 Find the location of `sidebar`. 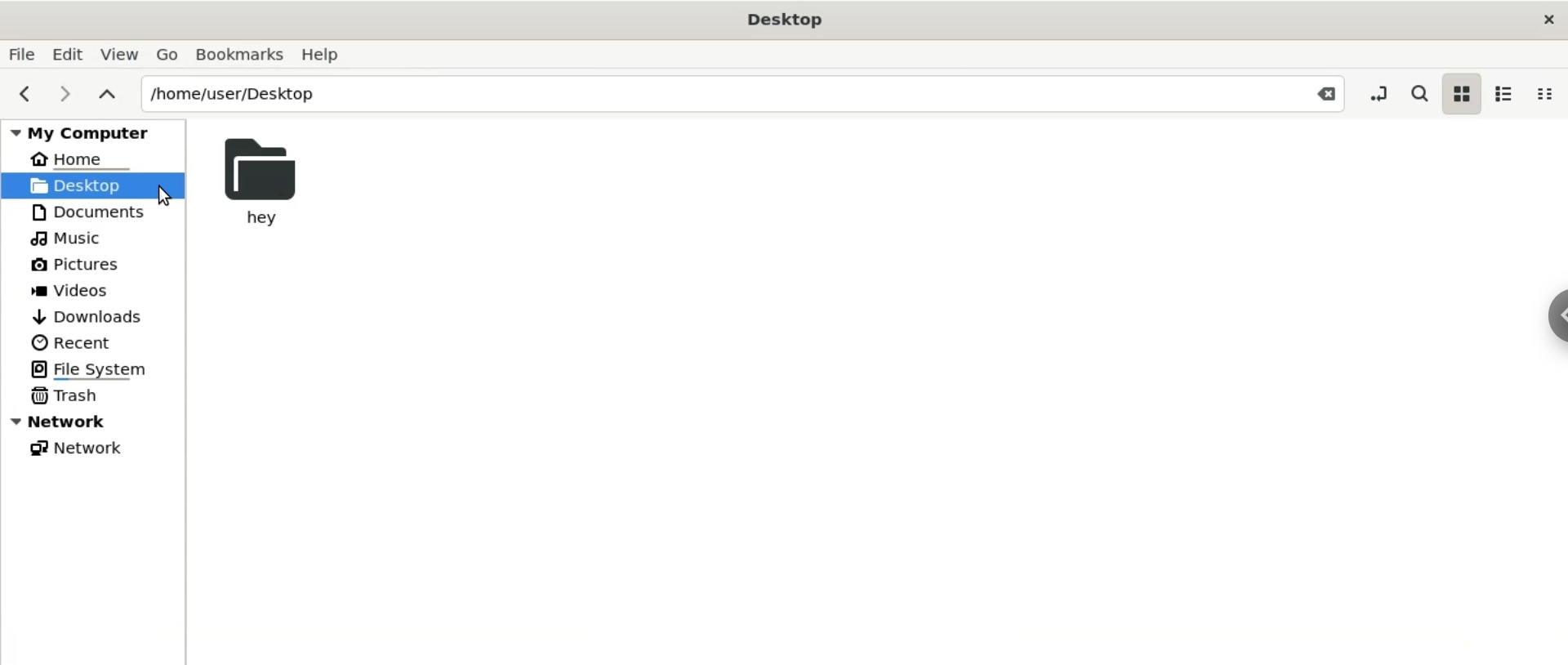

sidebar is located at coordinates (1558, 314).